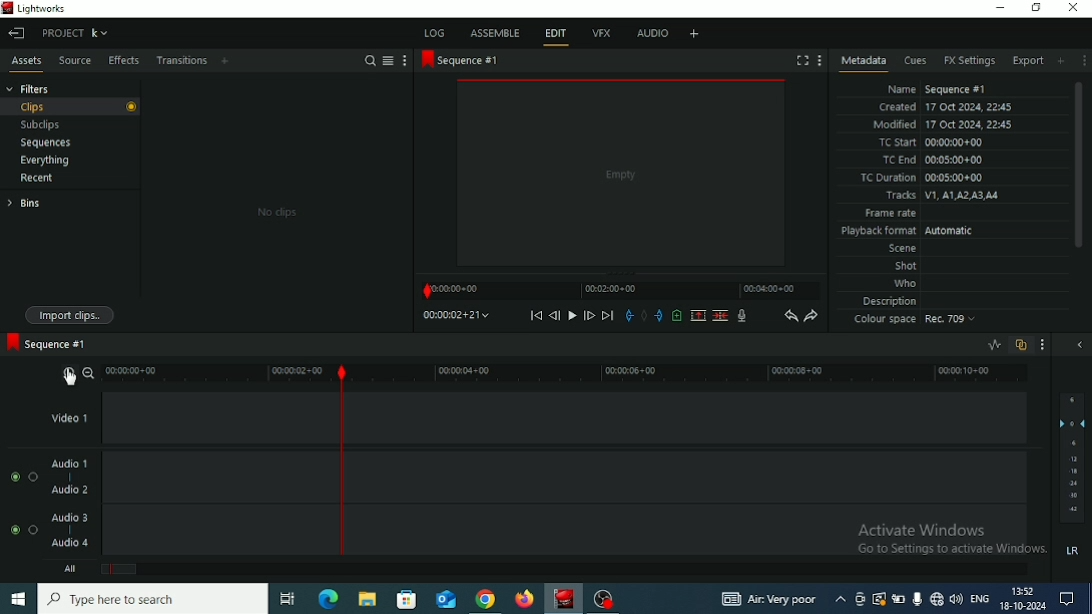  I want to click on Windows, so click(17, 600).